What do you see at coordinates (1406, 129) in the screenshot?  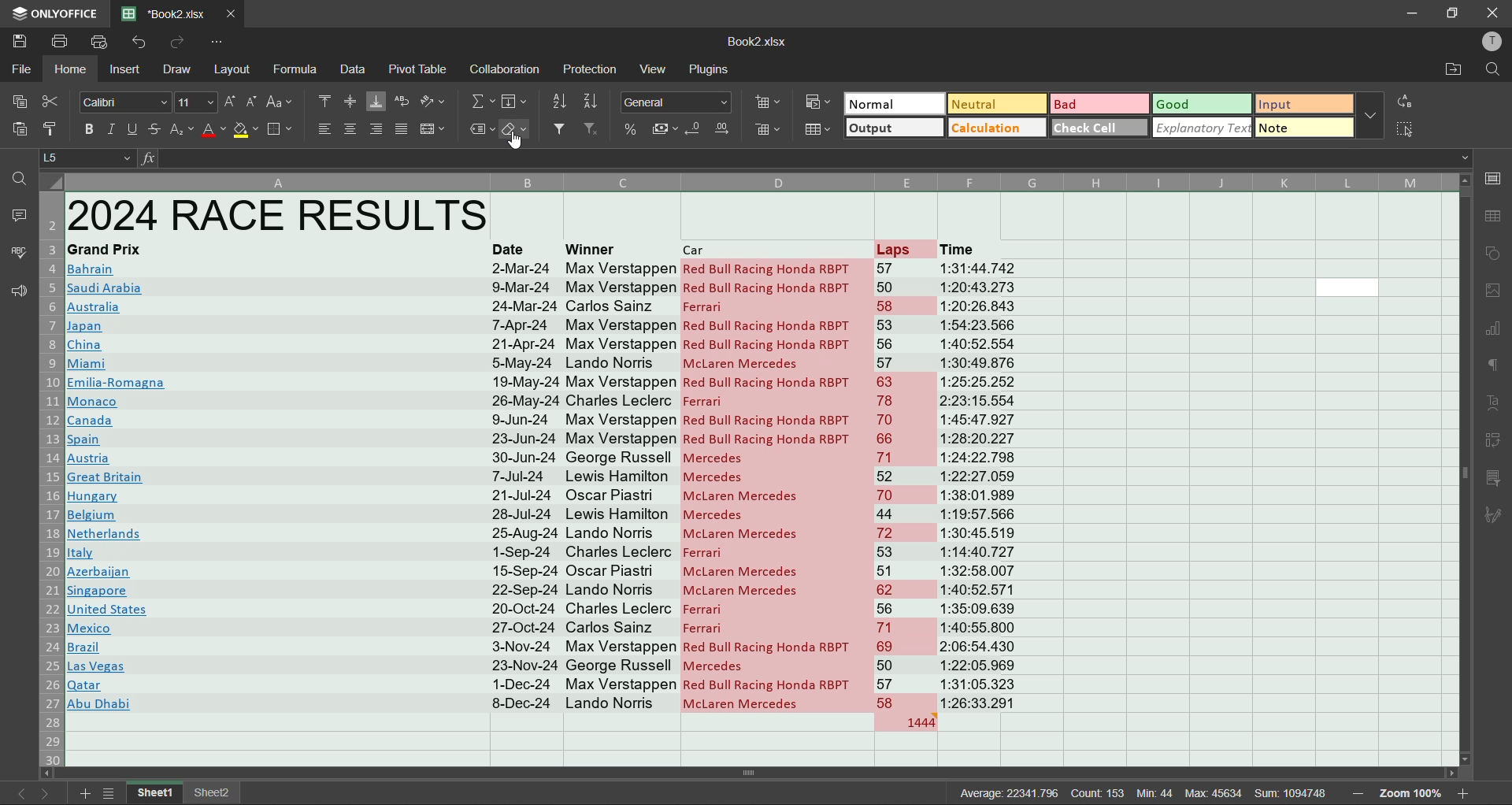 I see `select all` at bounding box center [1406, 129].